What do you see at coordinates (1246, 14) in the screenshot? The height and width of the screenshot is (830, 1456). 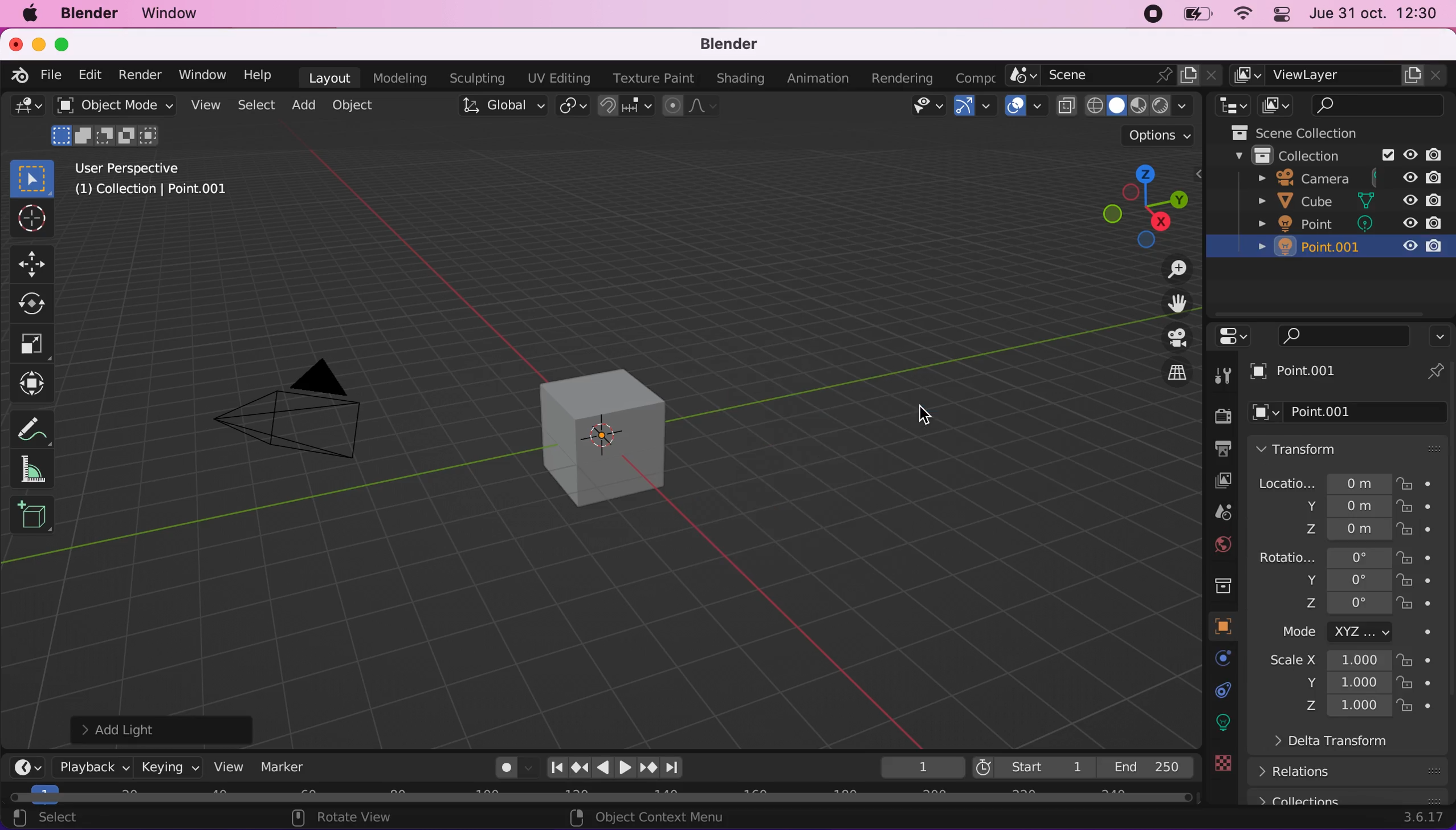 I see `wifi` at bounding box center [1246, 14].